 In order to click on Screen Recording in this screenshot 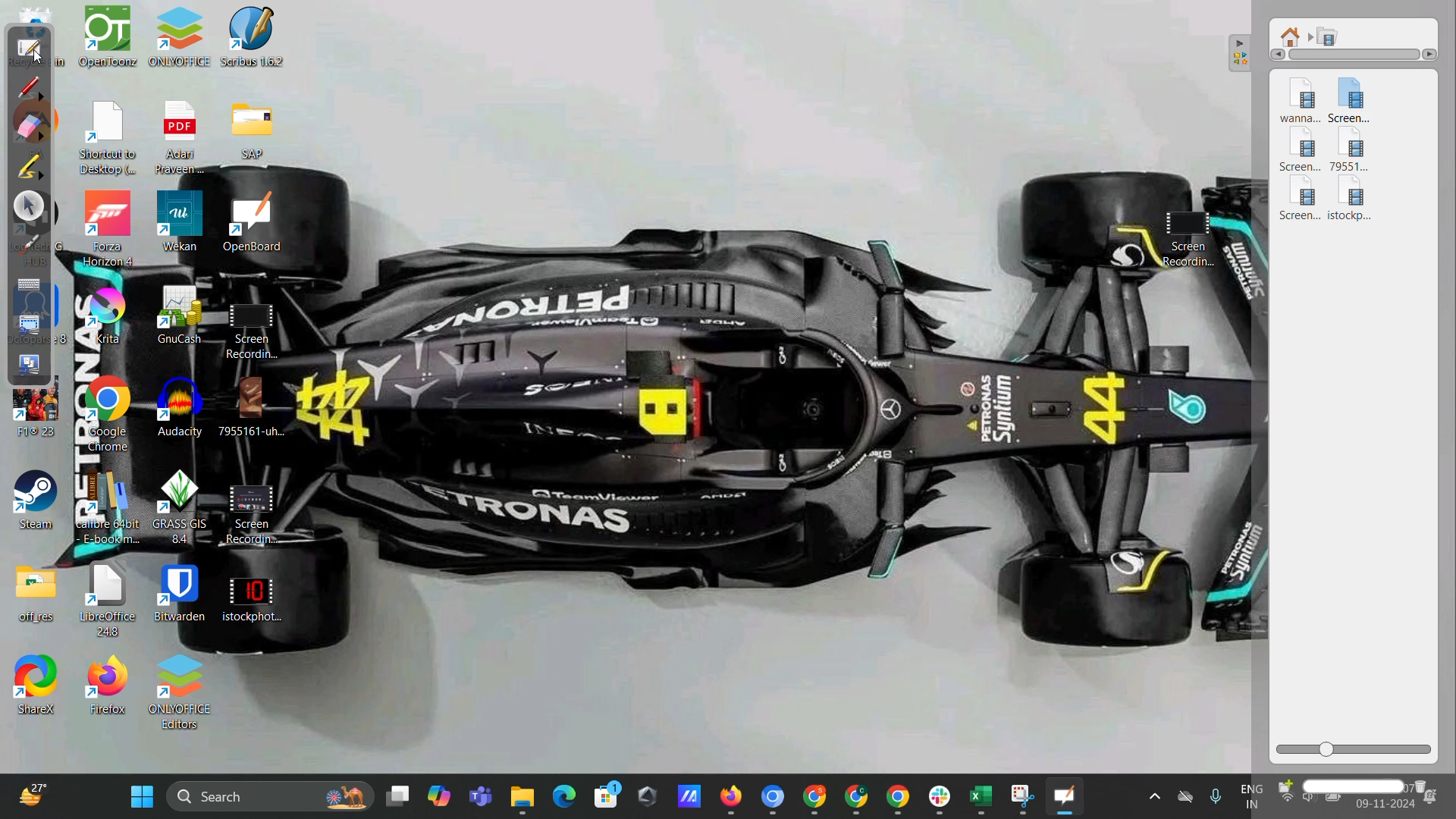, I will do `click(246, 513)`.